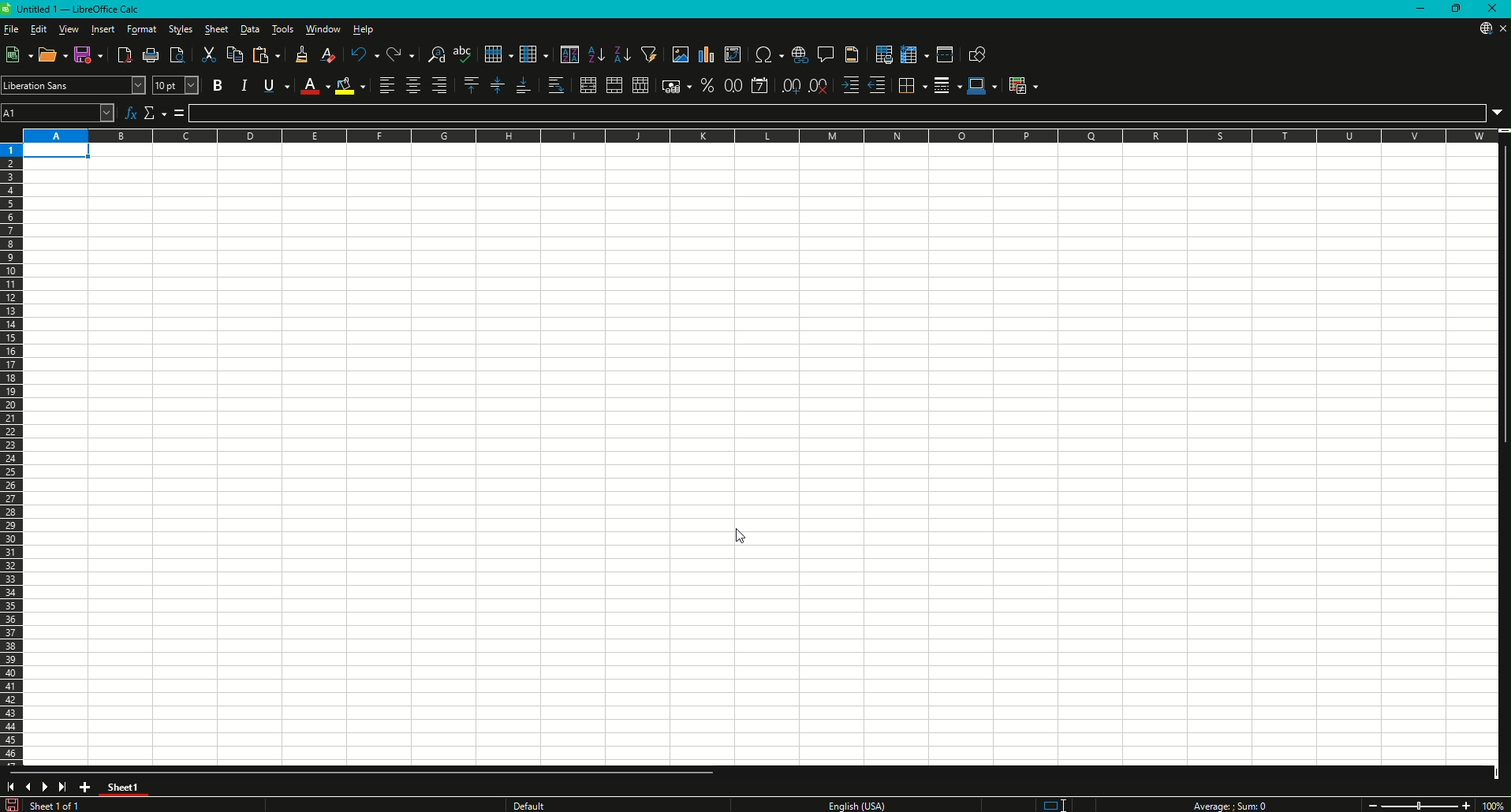 The width and height of the screenshot is (1511, 812). I want to click on Scroll to last sheet, so click(62, 786).